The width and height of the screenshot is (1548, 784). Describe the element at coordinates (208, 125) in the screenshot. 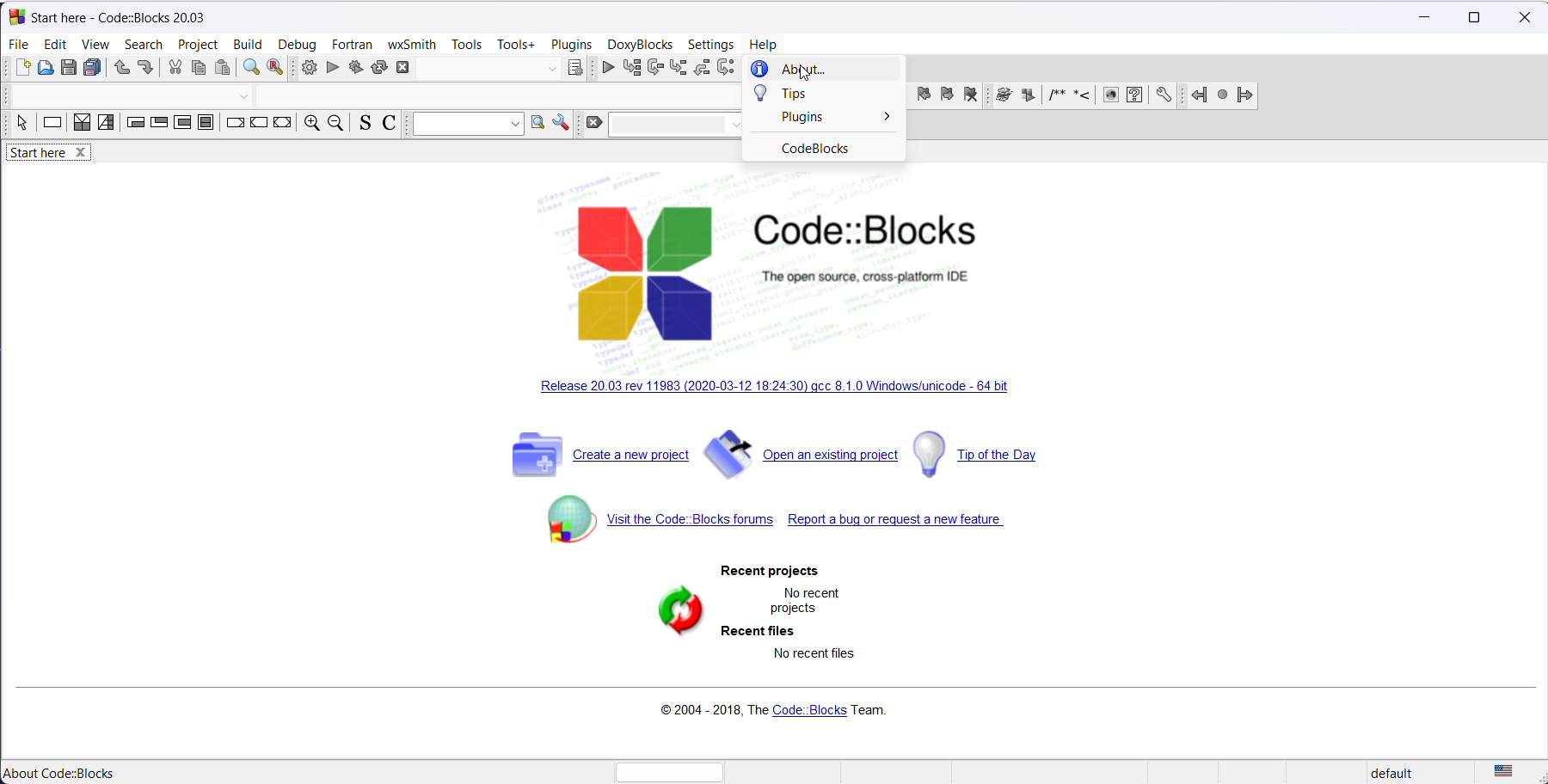

I see `block instruction` at that location.